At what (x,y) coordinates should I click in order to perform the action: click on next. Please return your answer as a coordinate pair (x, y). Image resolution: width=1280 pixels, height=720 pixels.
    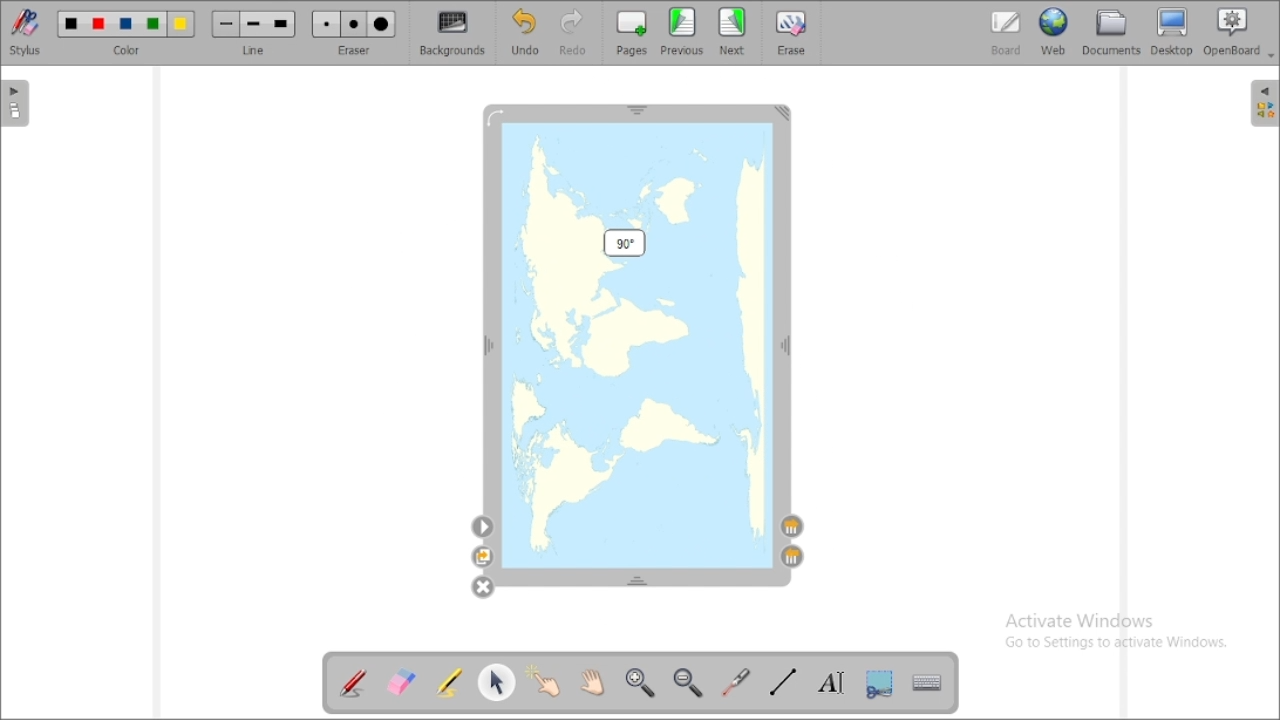
    Looking at the image, I should click on (732, 31).